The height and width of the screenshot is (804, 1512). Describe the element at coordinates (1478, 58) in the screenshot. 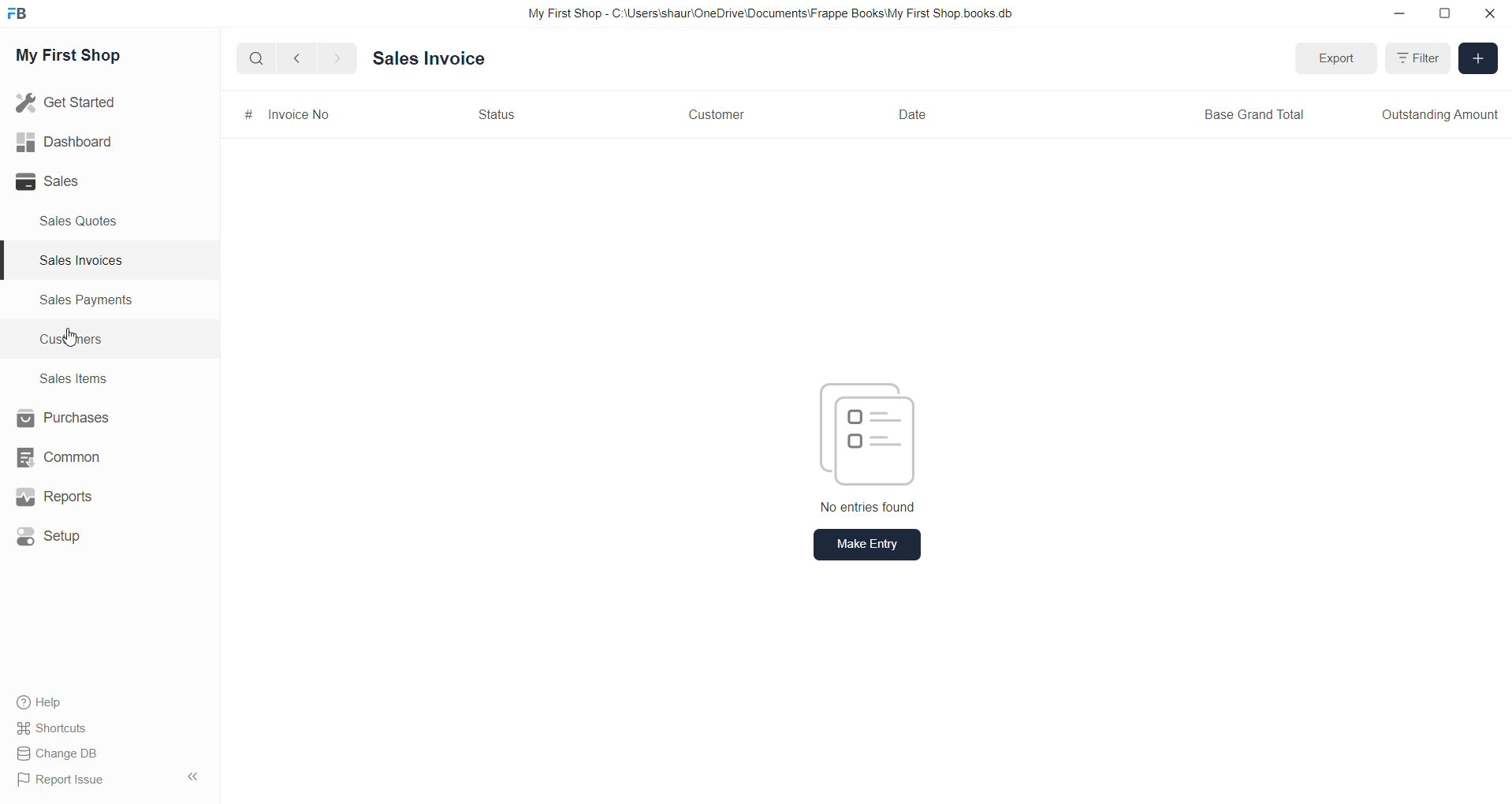

I see `Add` at that location.